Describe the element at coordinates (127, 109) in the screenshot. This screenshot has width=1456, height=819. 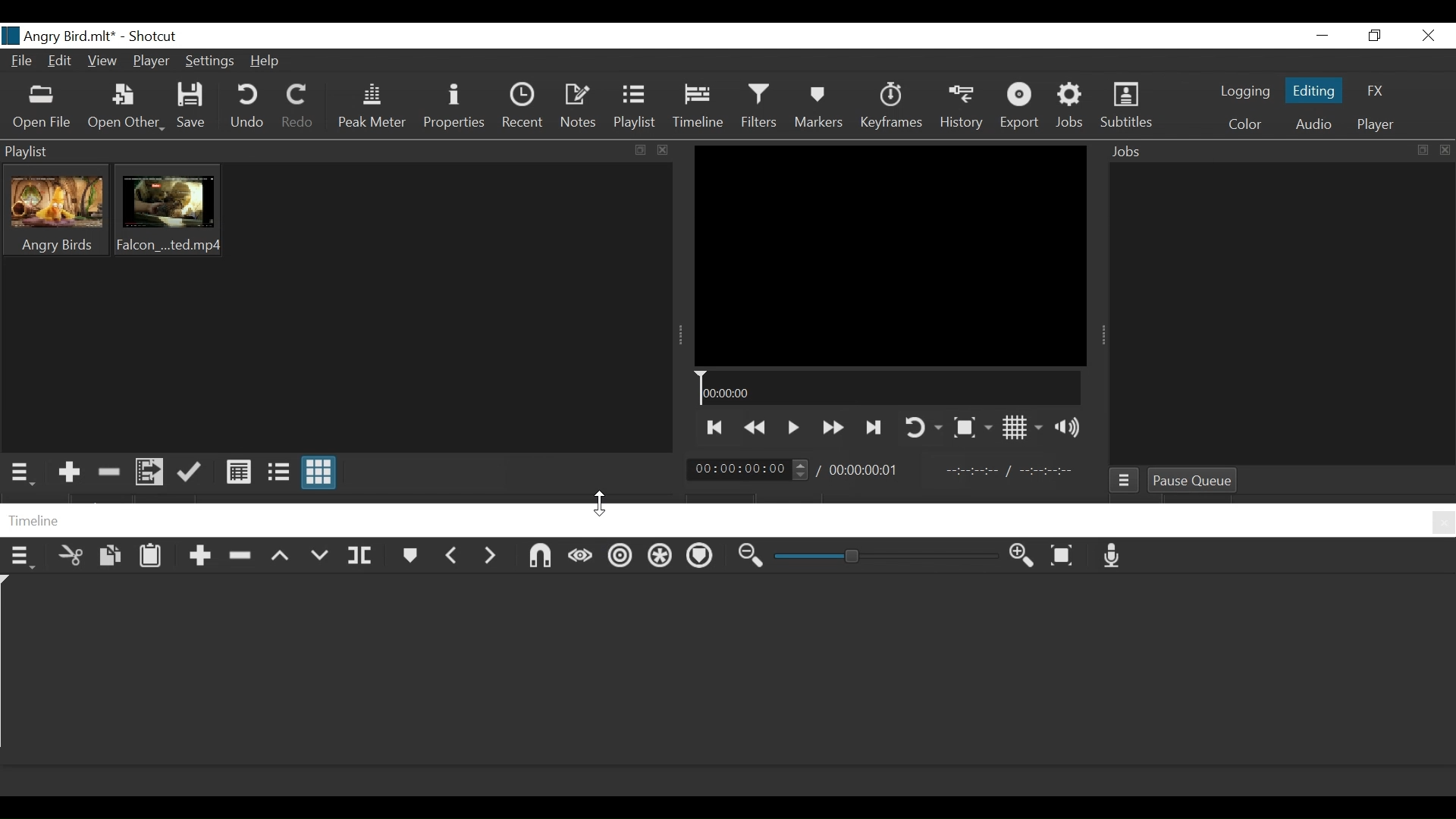
I see `Open Other` at that location.